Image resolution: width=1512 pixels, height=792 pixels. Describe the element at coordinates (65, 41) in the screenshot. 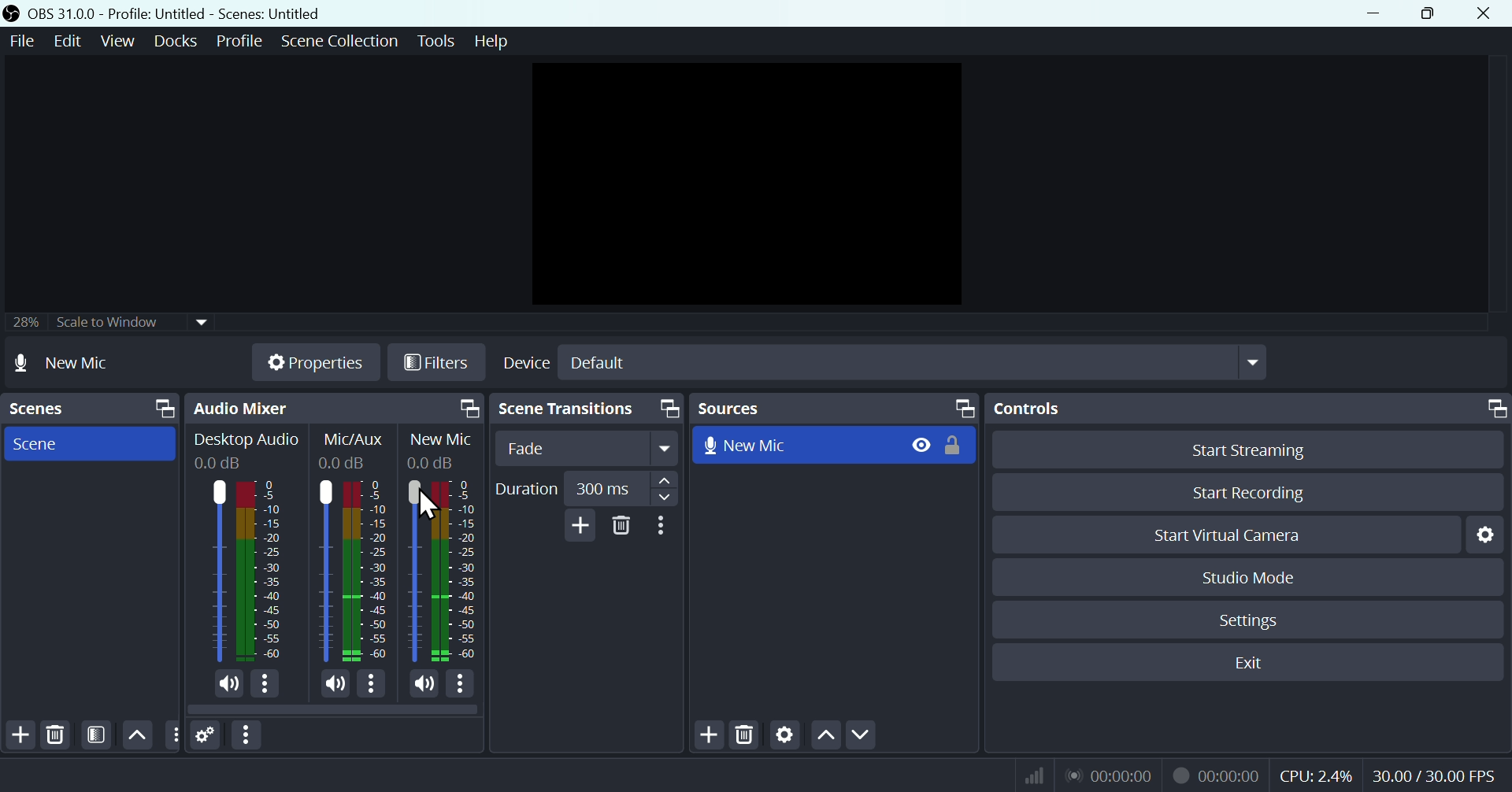

I see `Edit` at that location.